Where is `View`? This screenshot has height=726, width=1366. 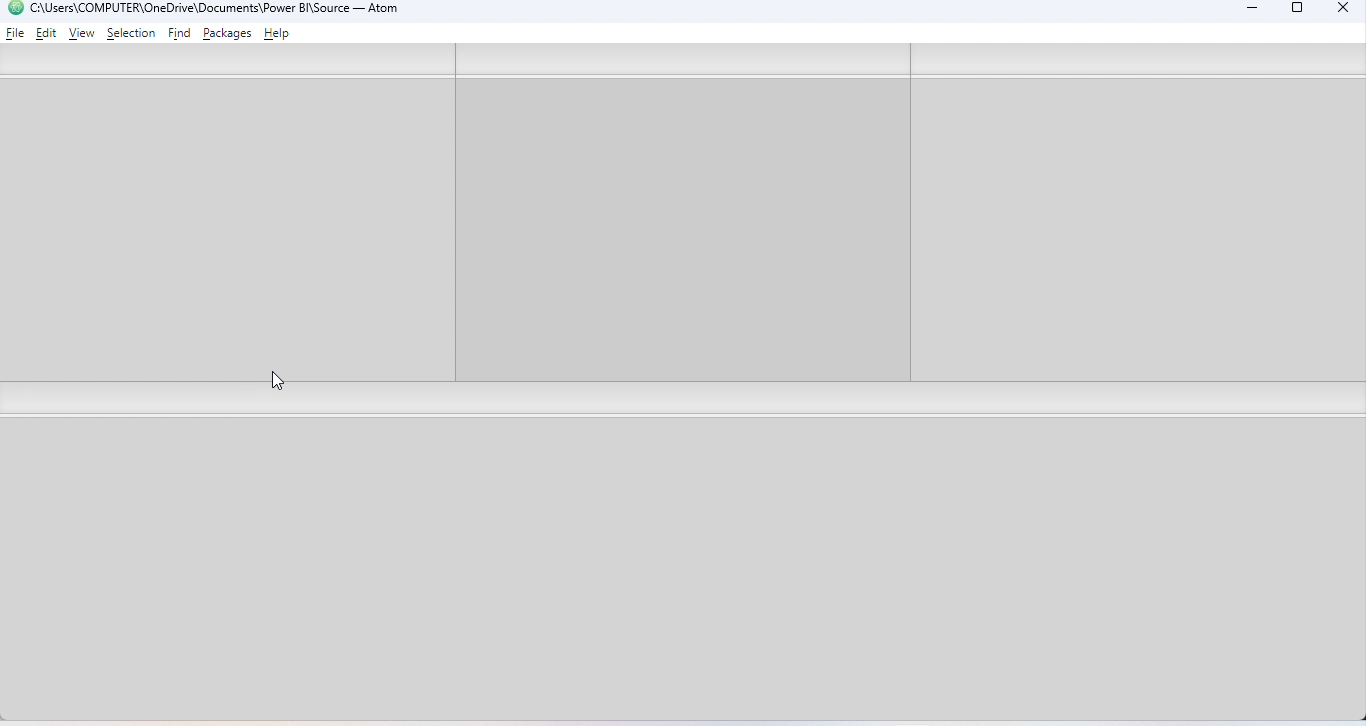
View is located at coordinates (82, 34).